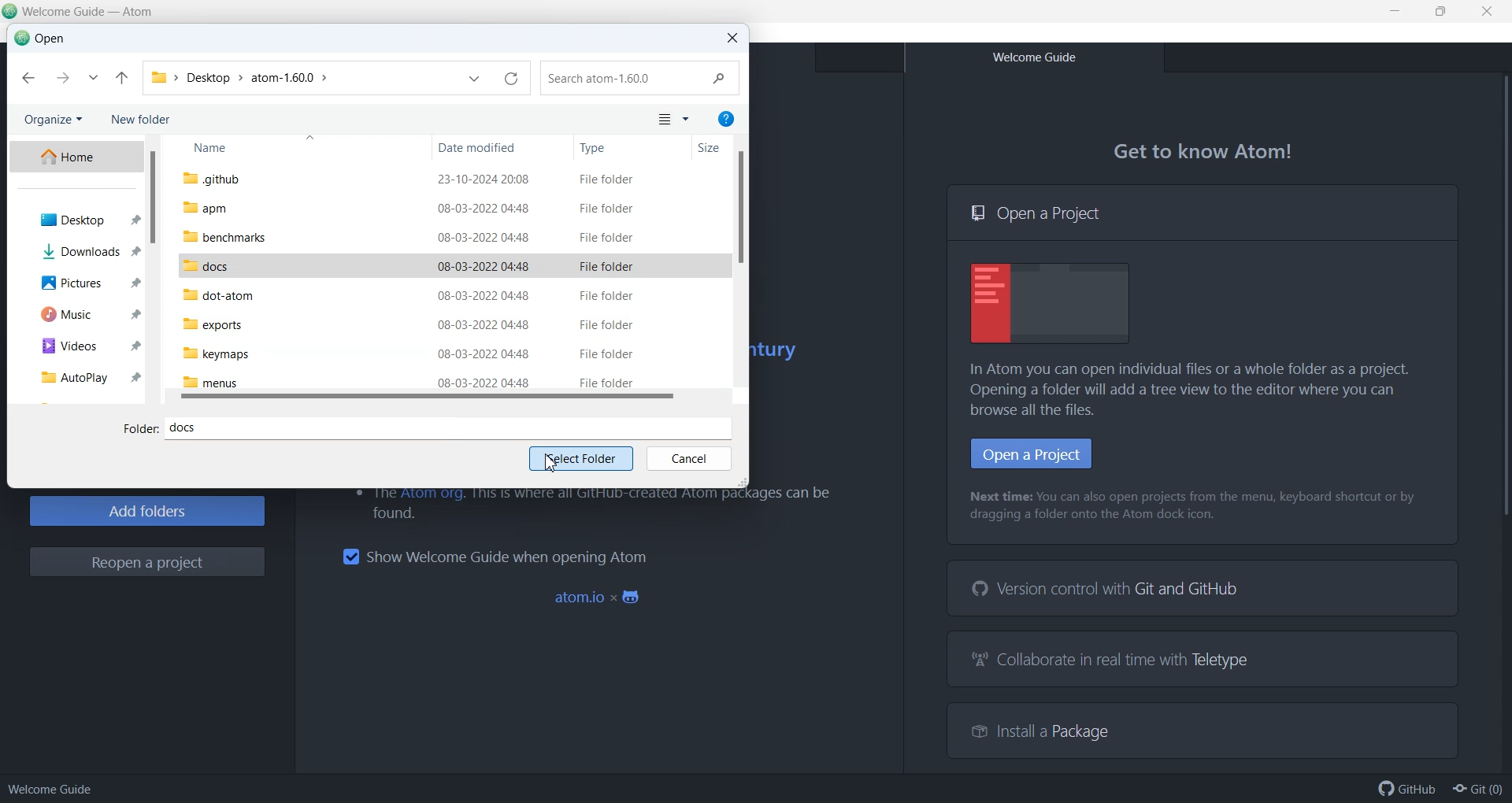 Image resolution: width=1512 pixels, height=803 pixels. I want to click on .github, so click(211, 179).